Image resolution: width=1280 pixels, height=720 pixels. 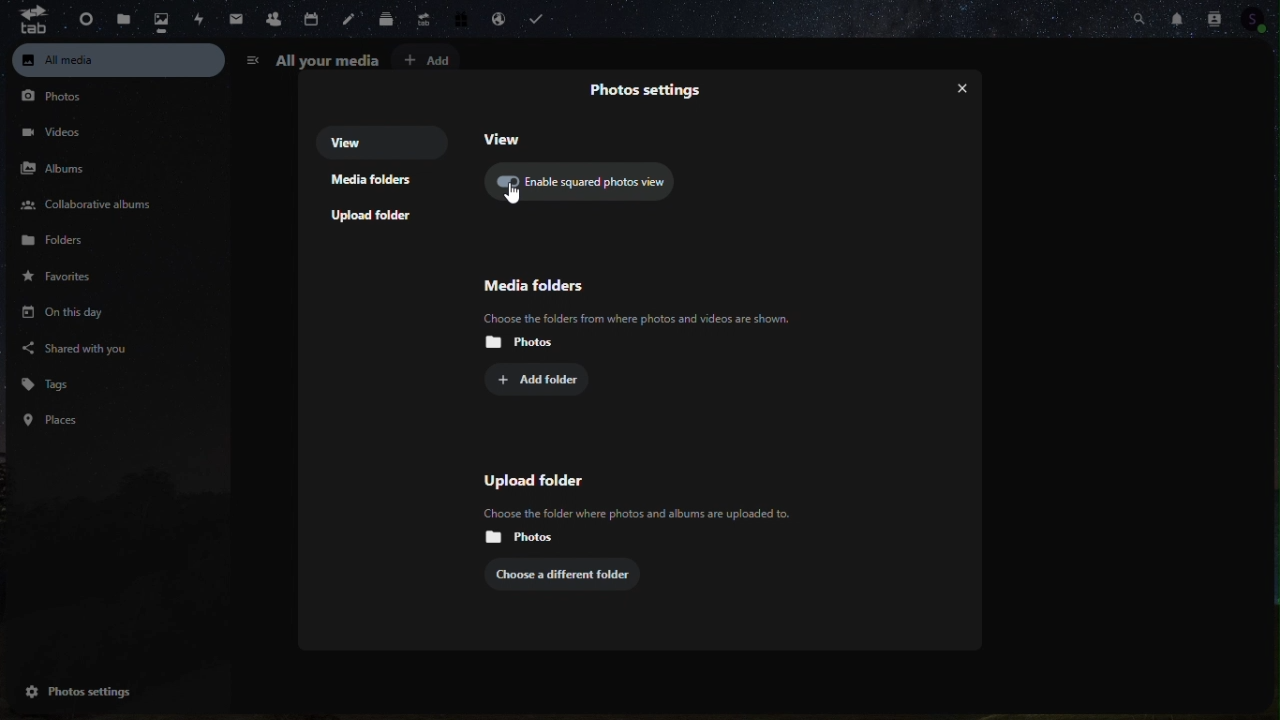 What do you see at coordinates (72, 281) in the screenshot?
I see `Favourite` at bounding box center [72, 281].